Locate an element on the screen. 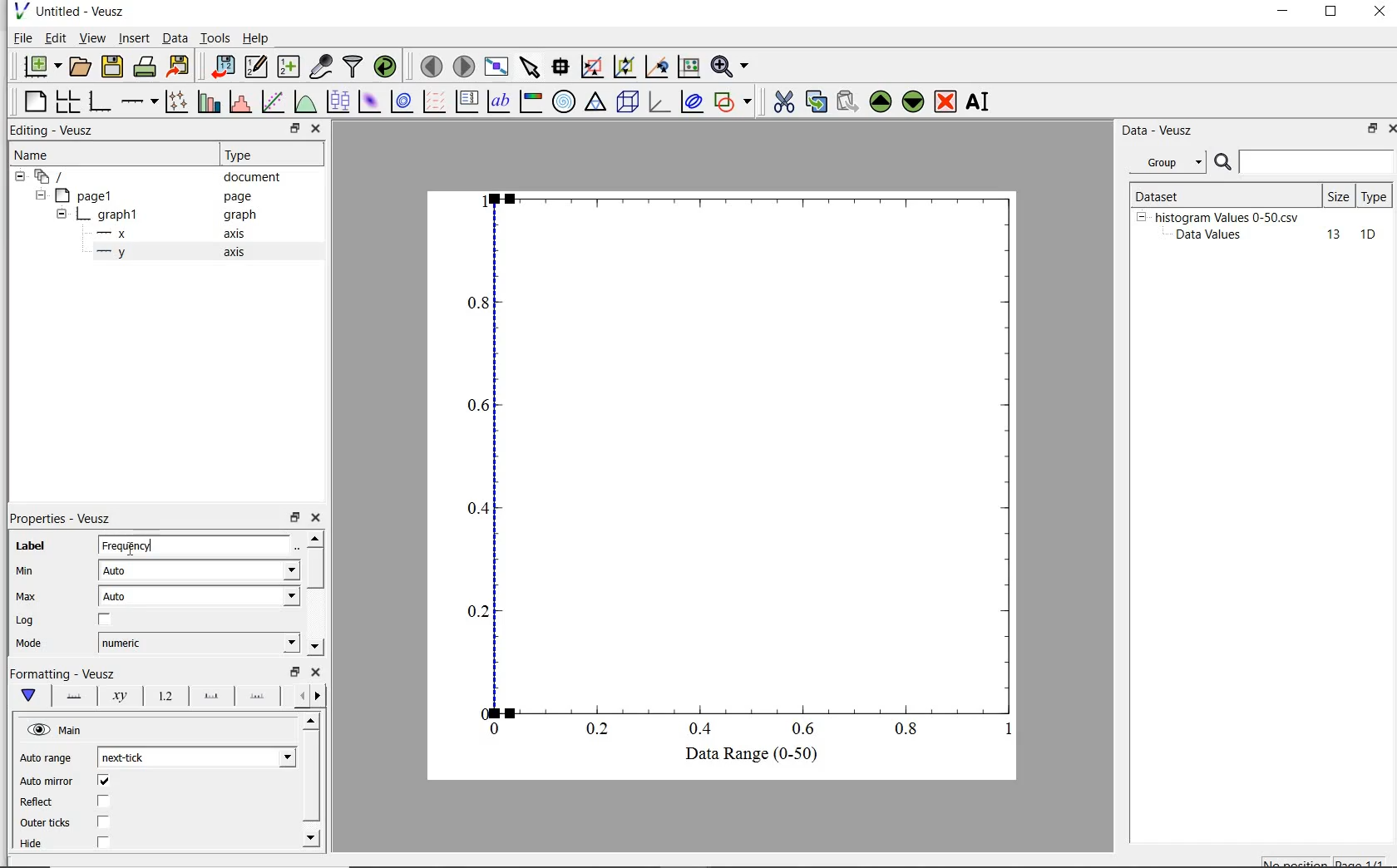  Data is located at coordinates (175, 37).